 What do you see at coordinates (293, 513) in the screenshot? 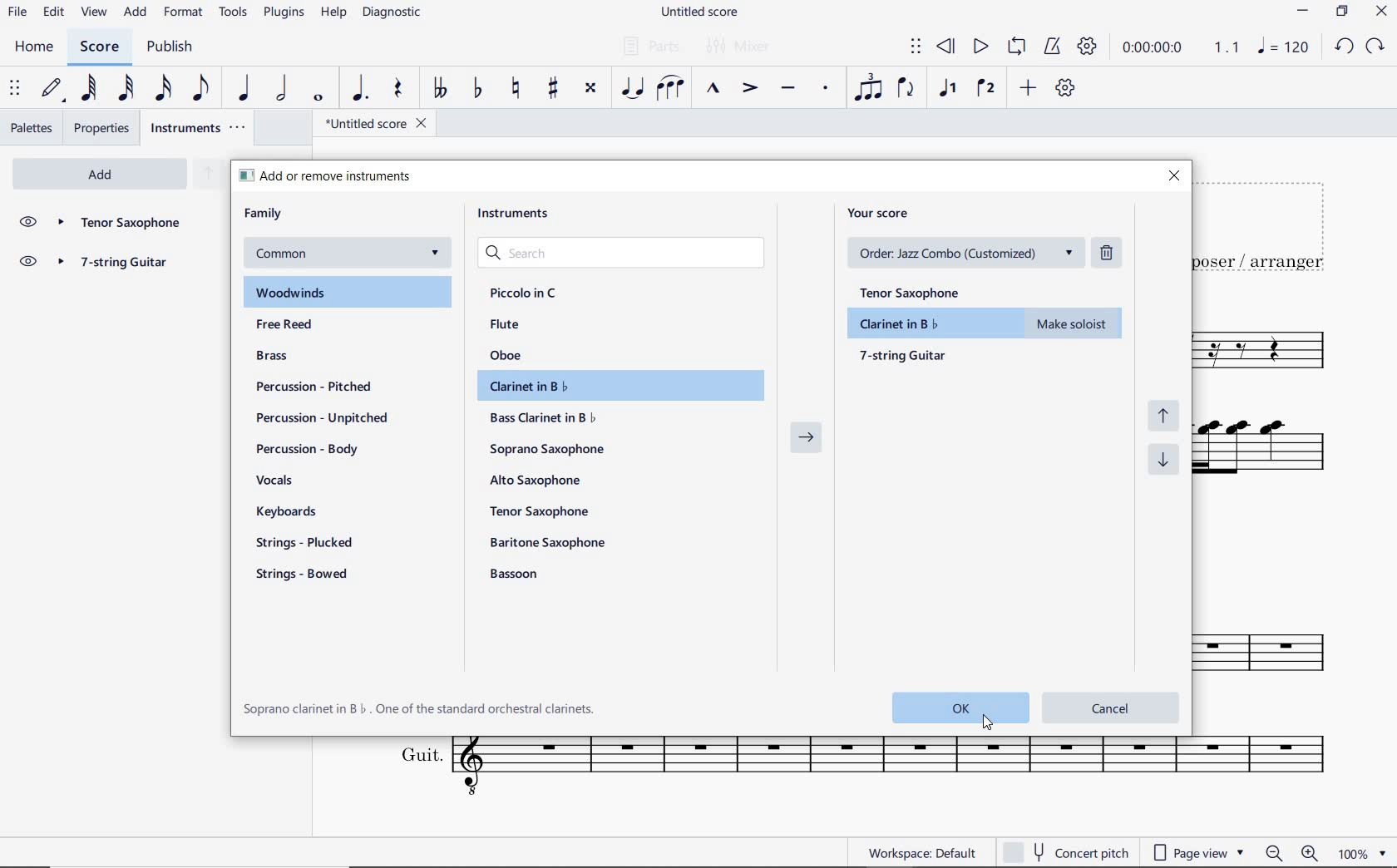
I see `keyboards` at bounding box center [293, 513].